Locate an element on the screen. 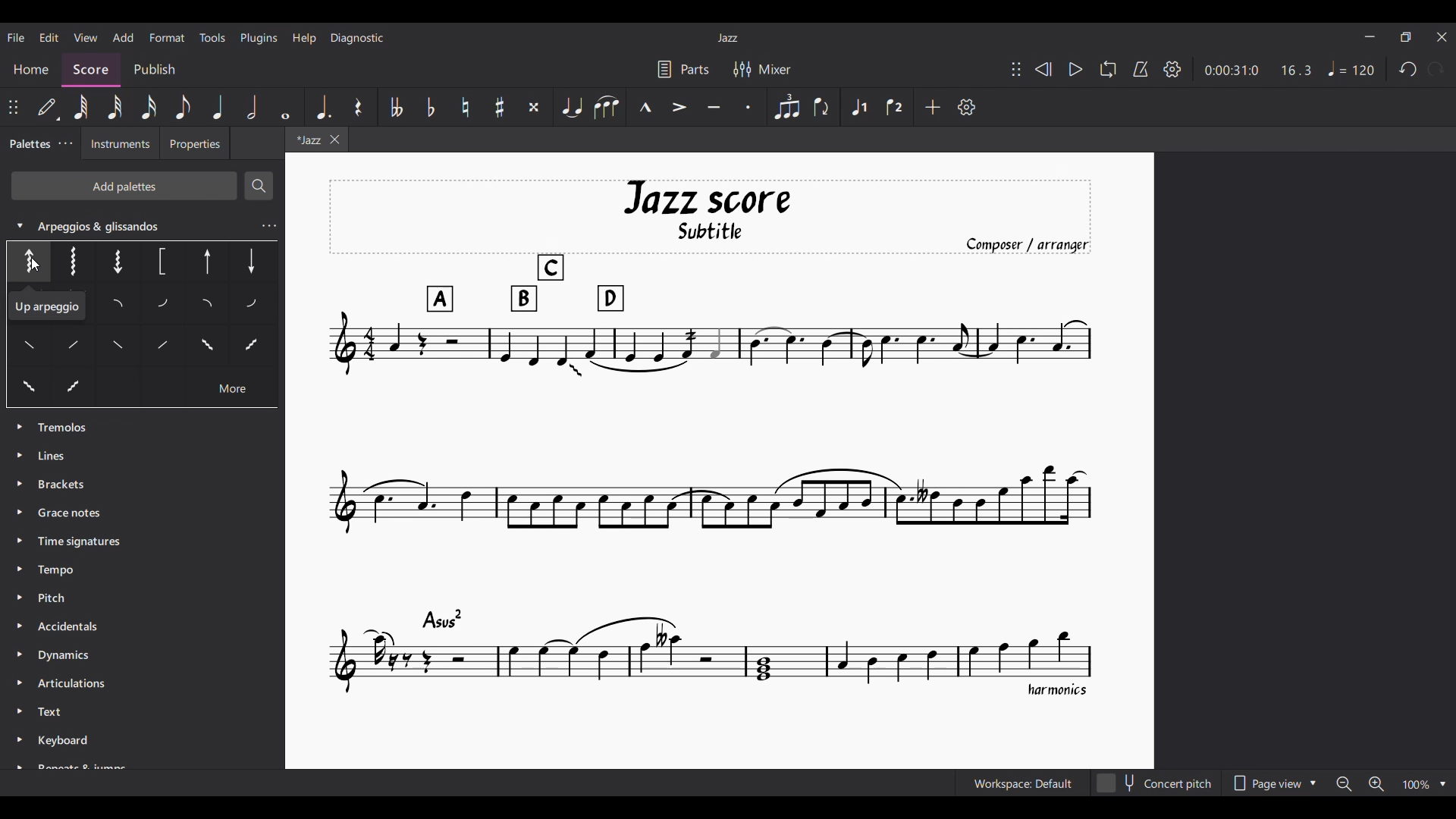 This screenshot has height=819, width=1456.  is located at coordinates (118, 306).